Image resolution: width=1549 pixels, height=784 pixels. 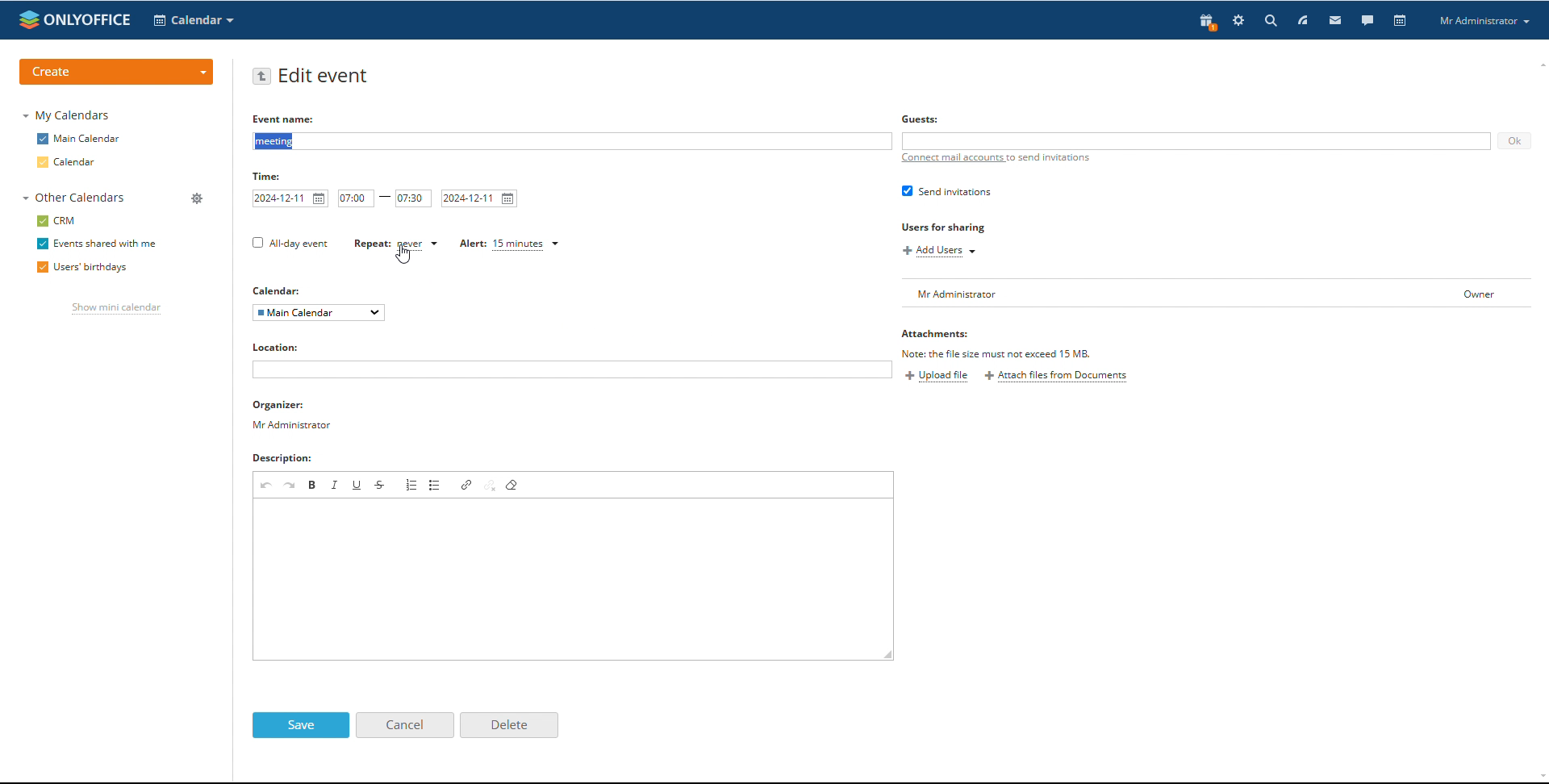 I want to click on profile, so click(x=1484, y=21).